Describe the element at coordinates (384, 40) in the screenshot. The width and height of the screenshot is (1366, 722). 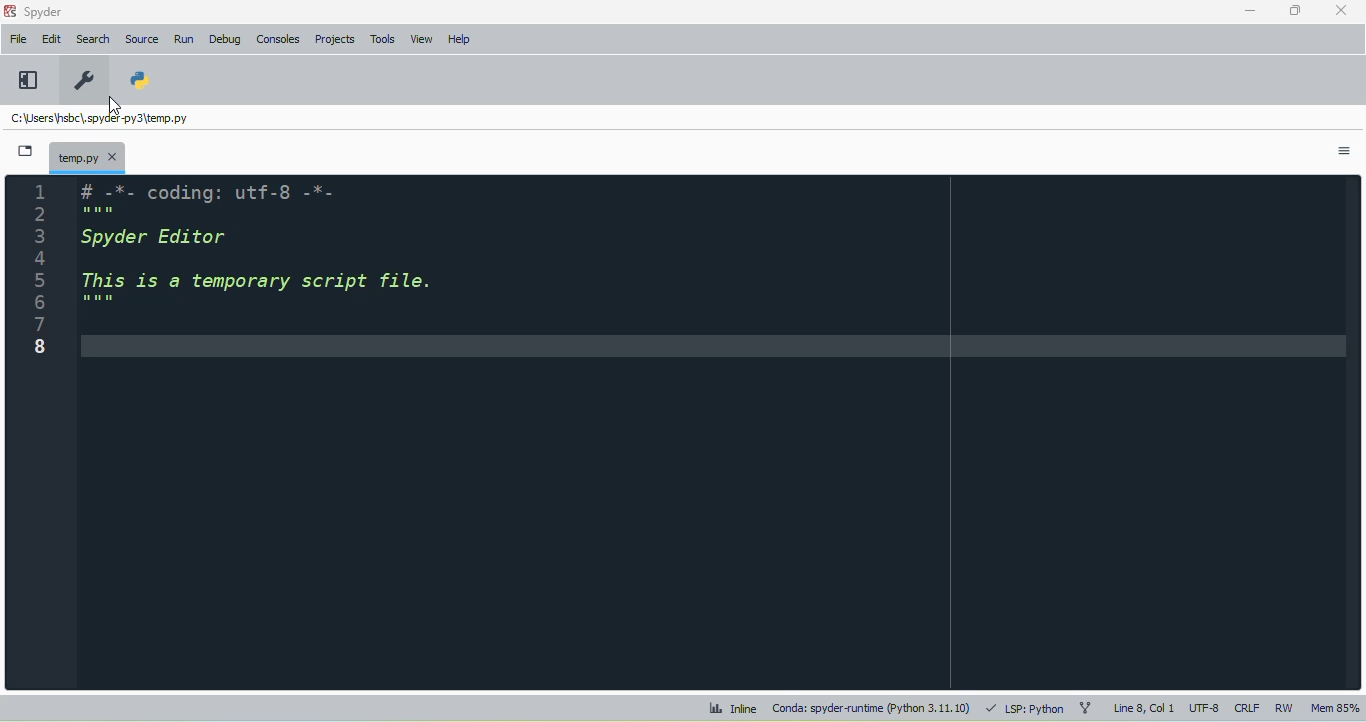
I see `tools` at that location.